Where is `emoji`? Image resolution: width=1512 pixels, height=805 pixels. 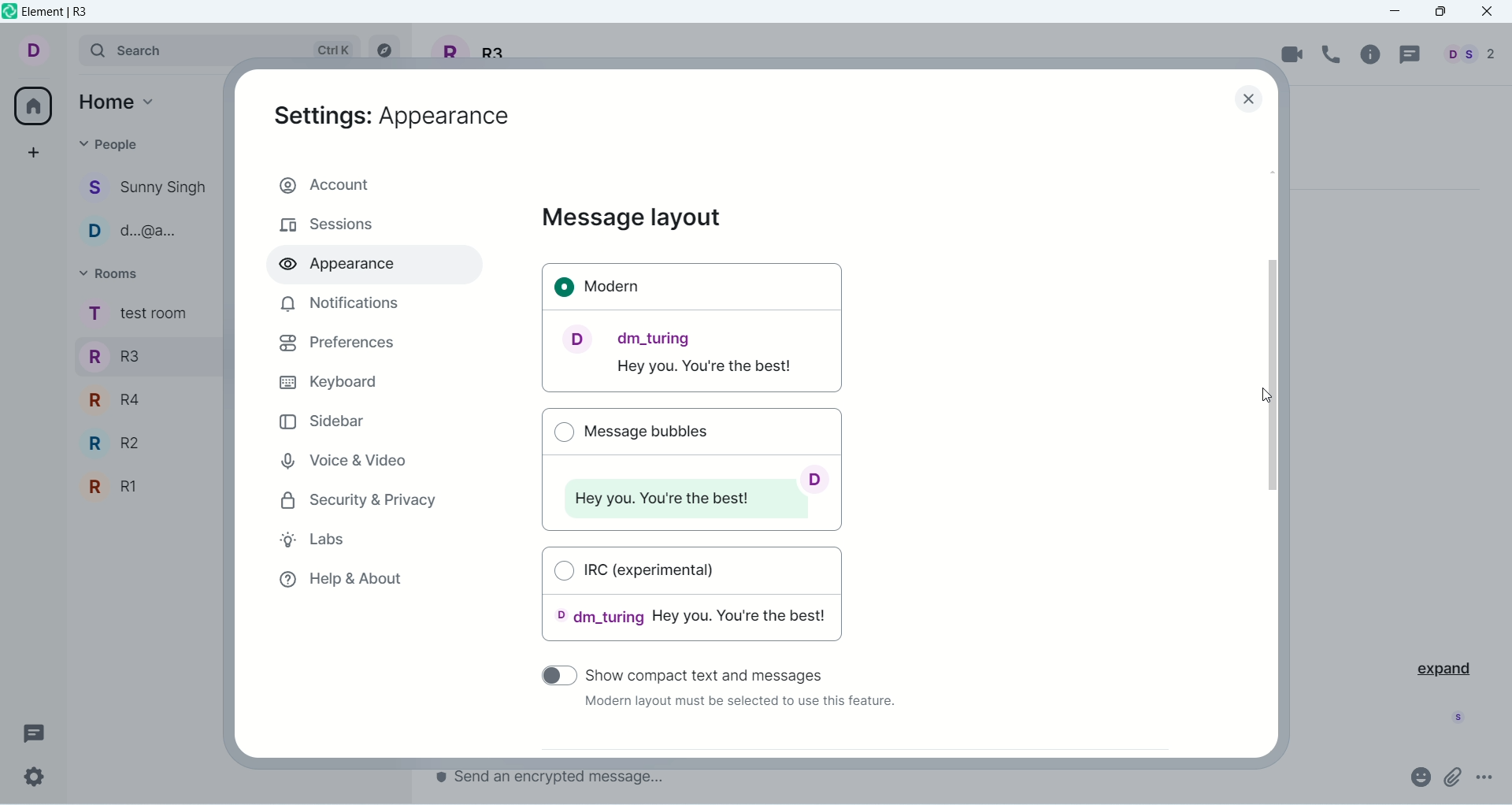
emoji is located at coordinates (1419, 776).